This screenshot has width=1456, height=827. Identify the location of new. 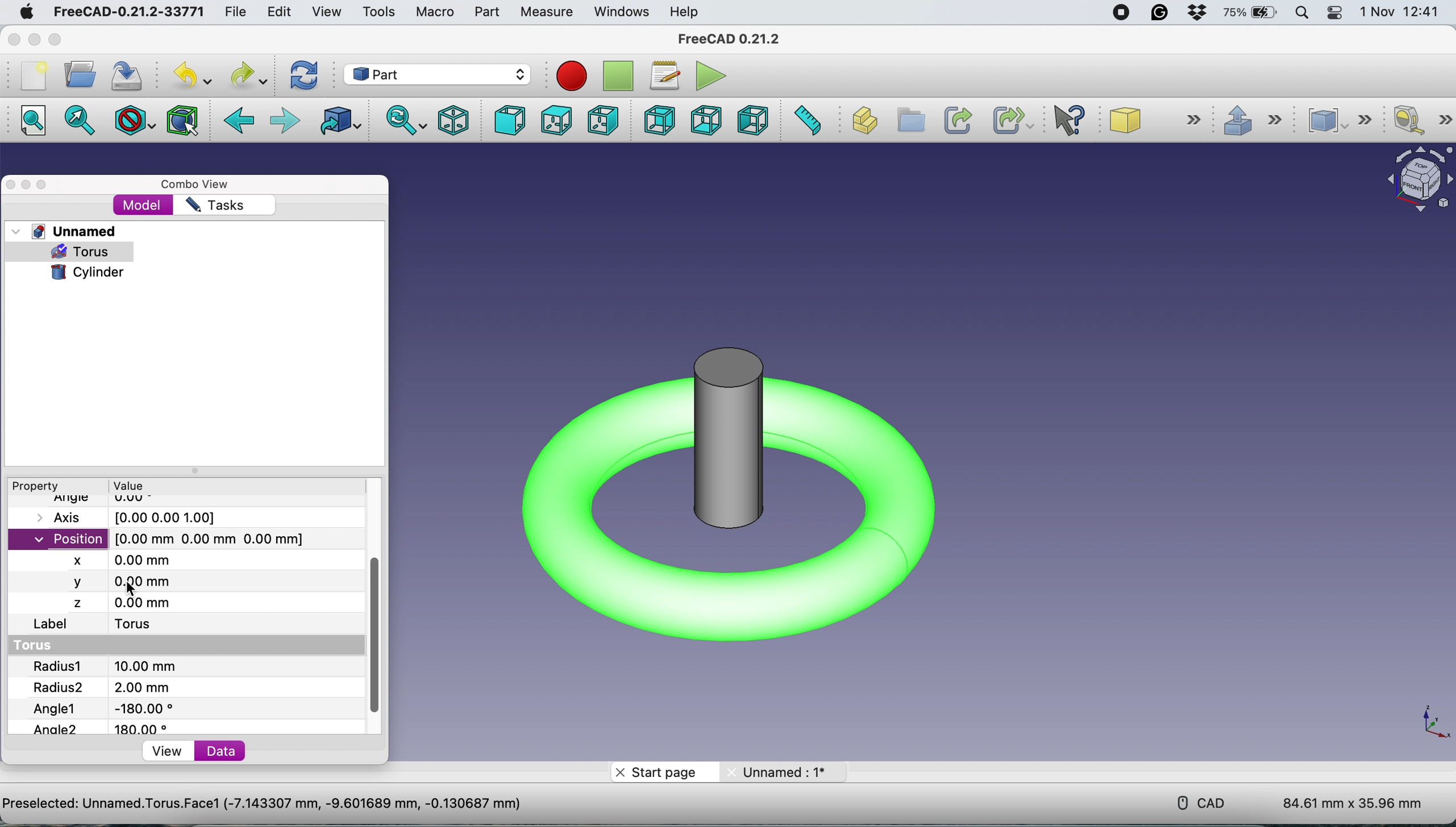
(33, 76).